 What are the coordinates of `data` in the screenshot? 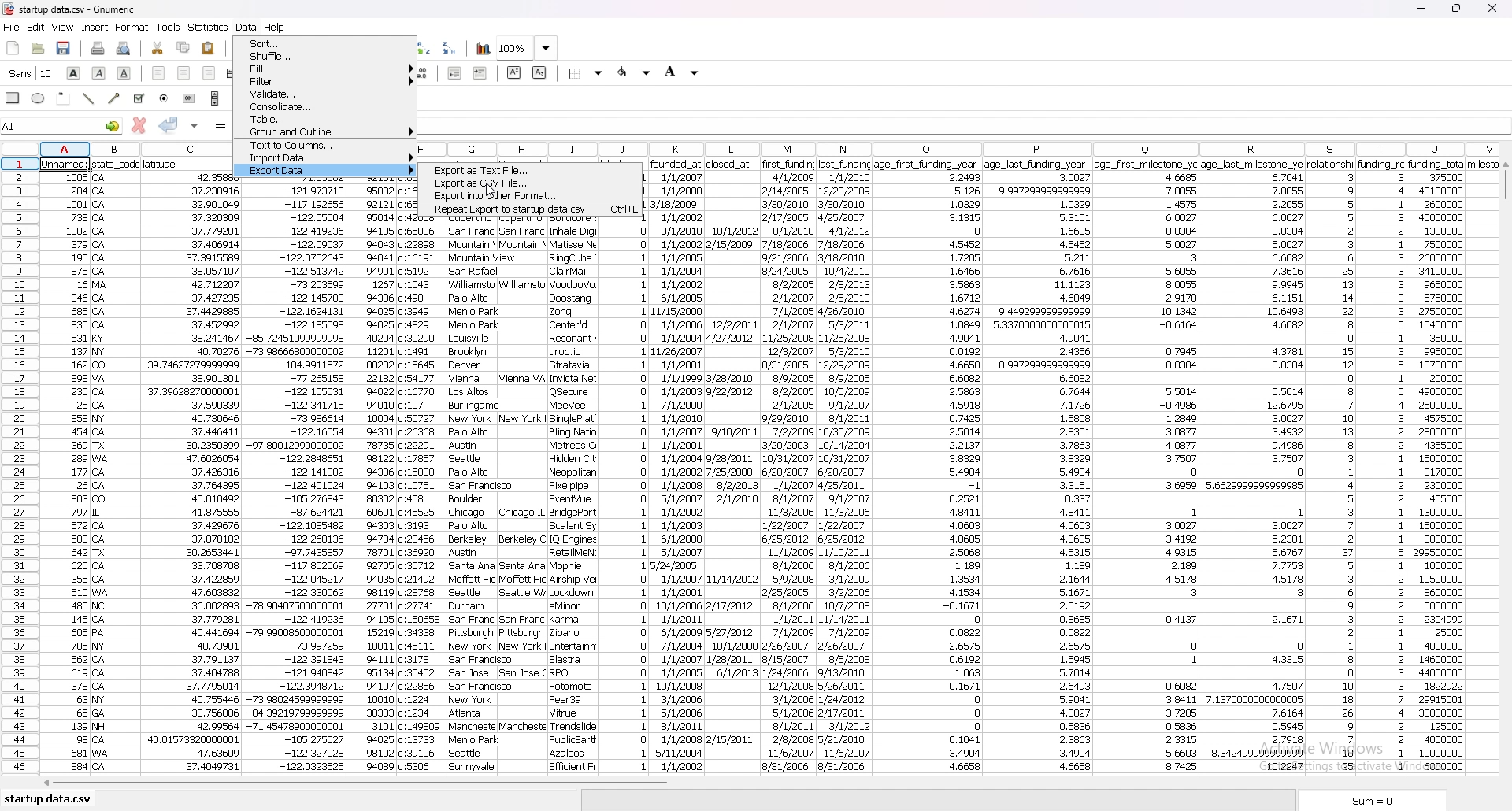 It's located at (926, 468).